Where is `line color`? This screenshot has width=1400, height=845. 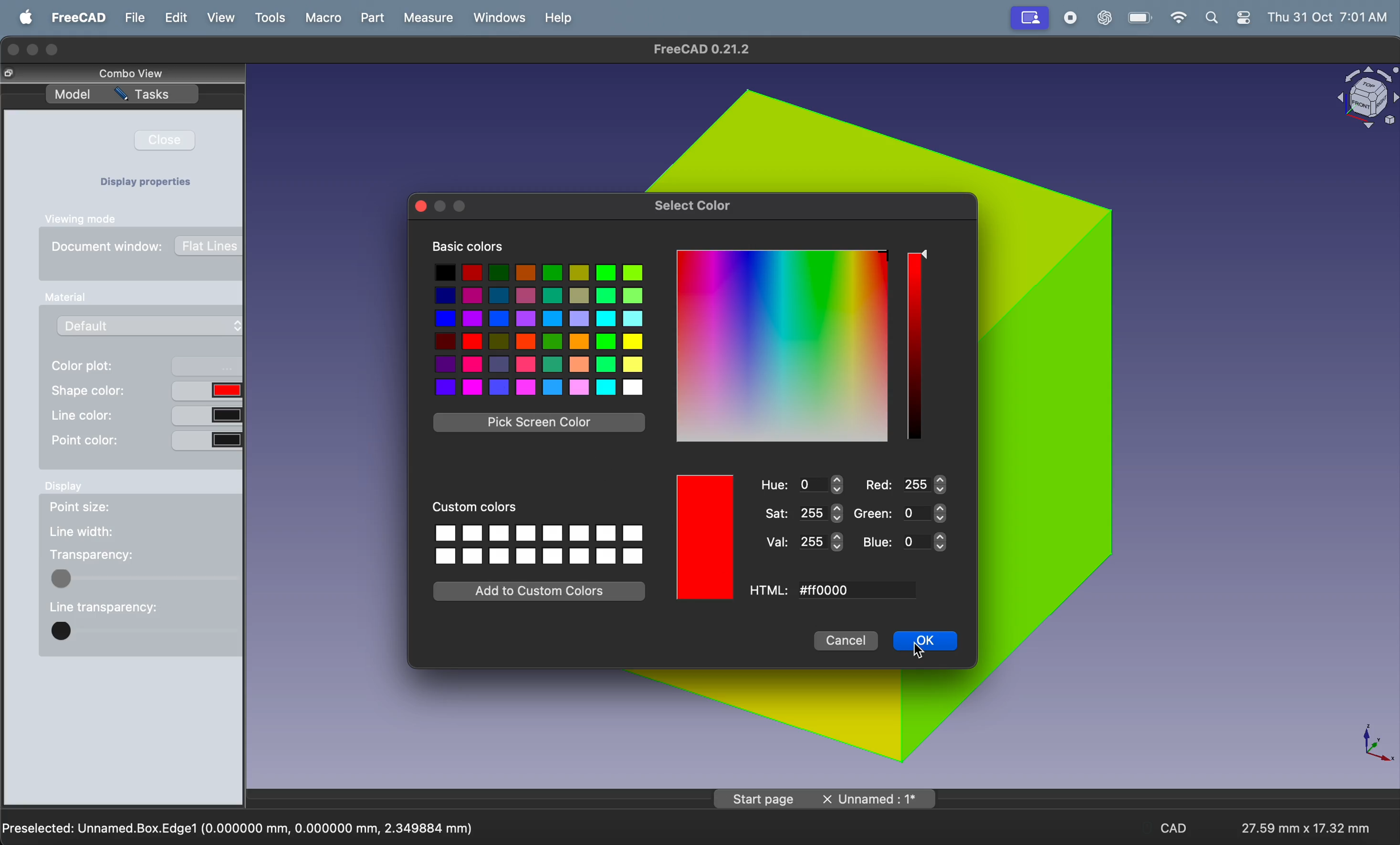 line color is located at coordinates (145, 414).